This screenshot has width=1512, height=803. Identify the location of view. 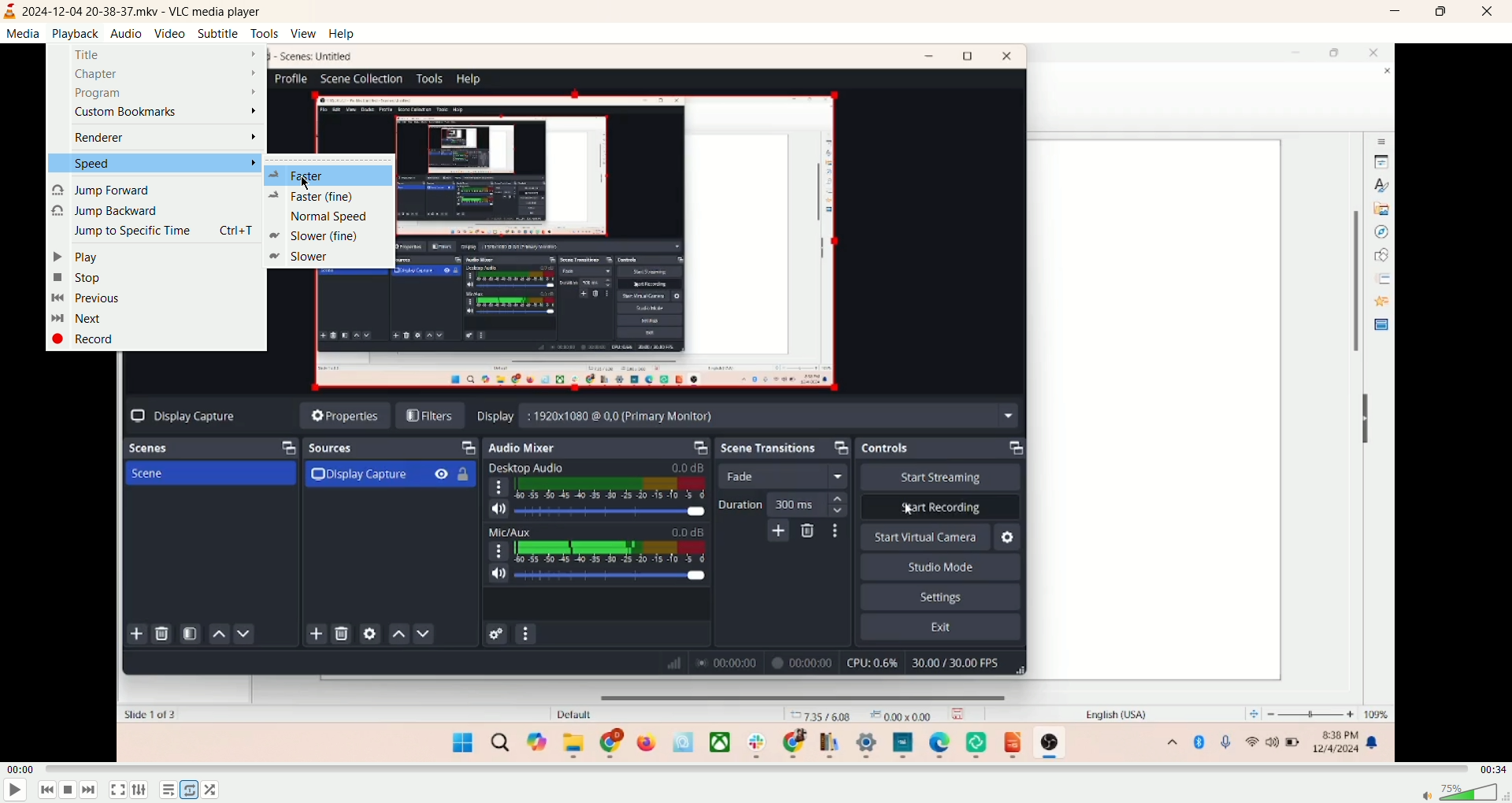
(302, 34).